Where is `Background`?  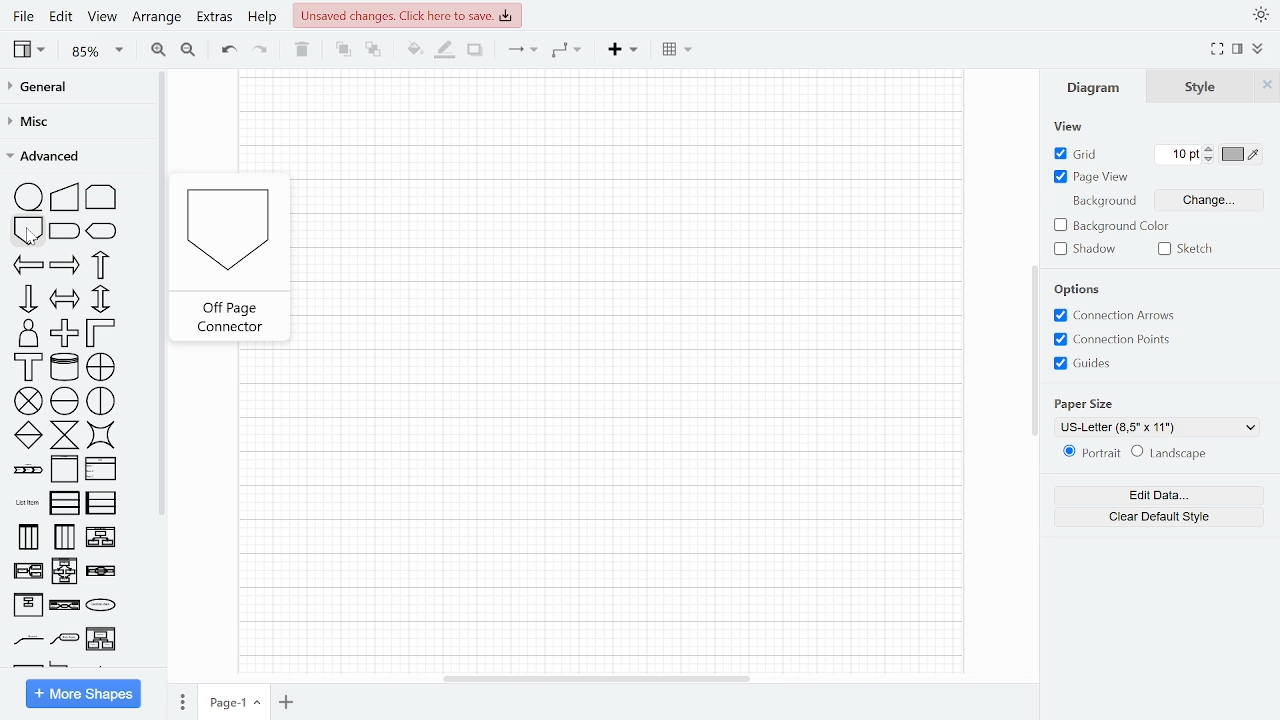
Background is located at coordinates (1106, 201).